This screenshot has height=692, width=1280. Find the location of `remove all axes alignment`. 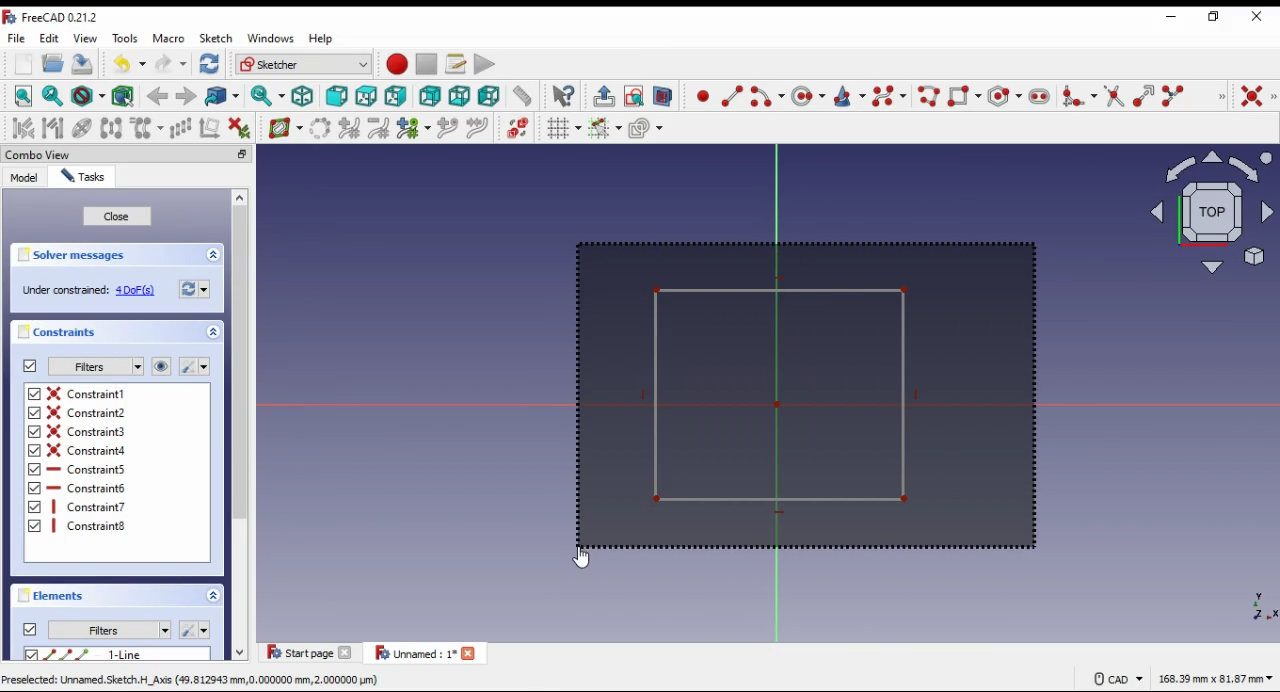

remove all axes alignment is located at coordinates (210, 127).